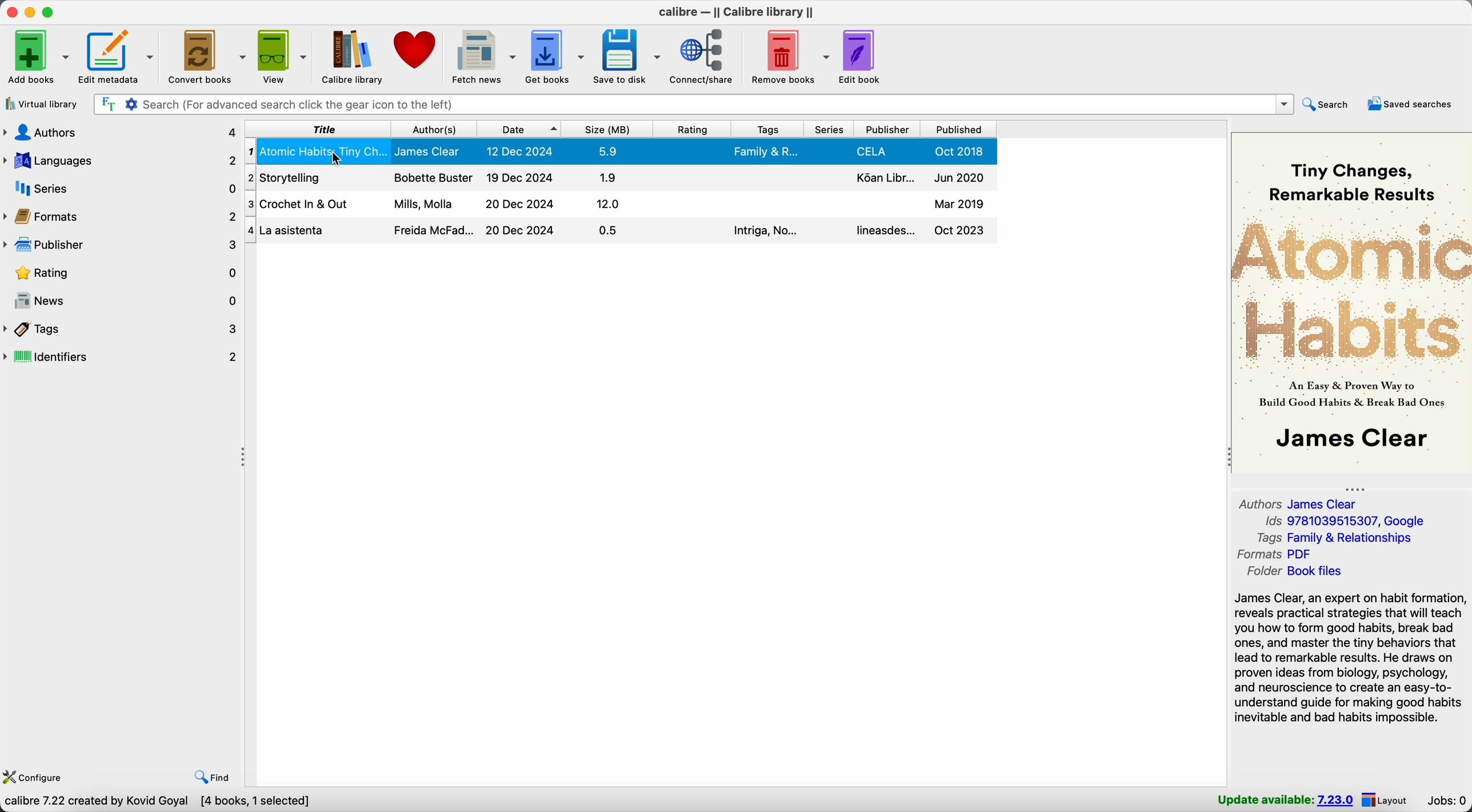  I want to click on tags, so click(769, 128).